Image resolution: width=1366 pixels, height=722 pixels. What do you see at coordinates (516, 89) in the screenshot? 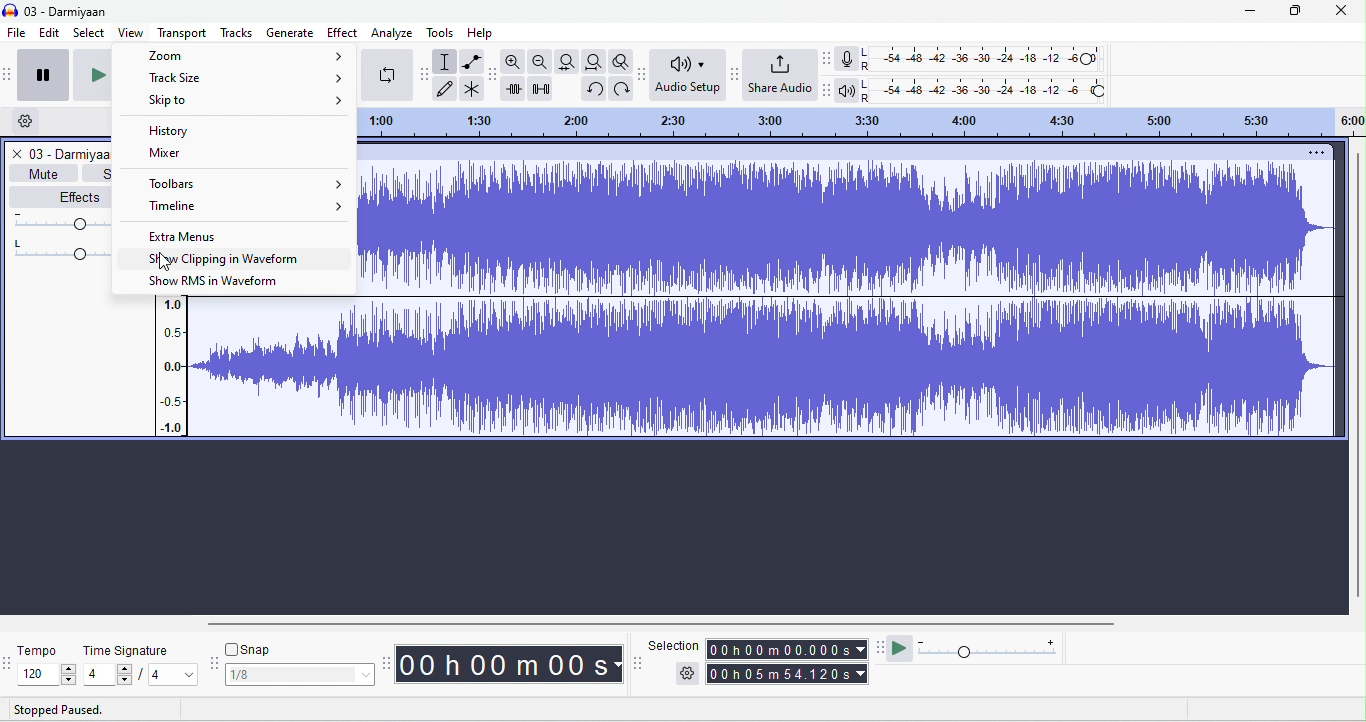
I see `trim outside selection` at bounding box center [516, 89].